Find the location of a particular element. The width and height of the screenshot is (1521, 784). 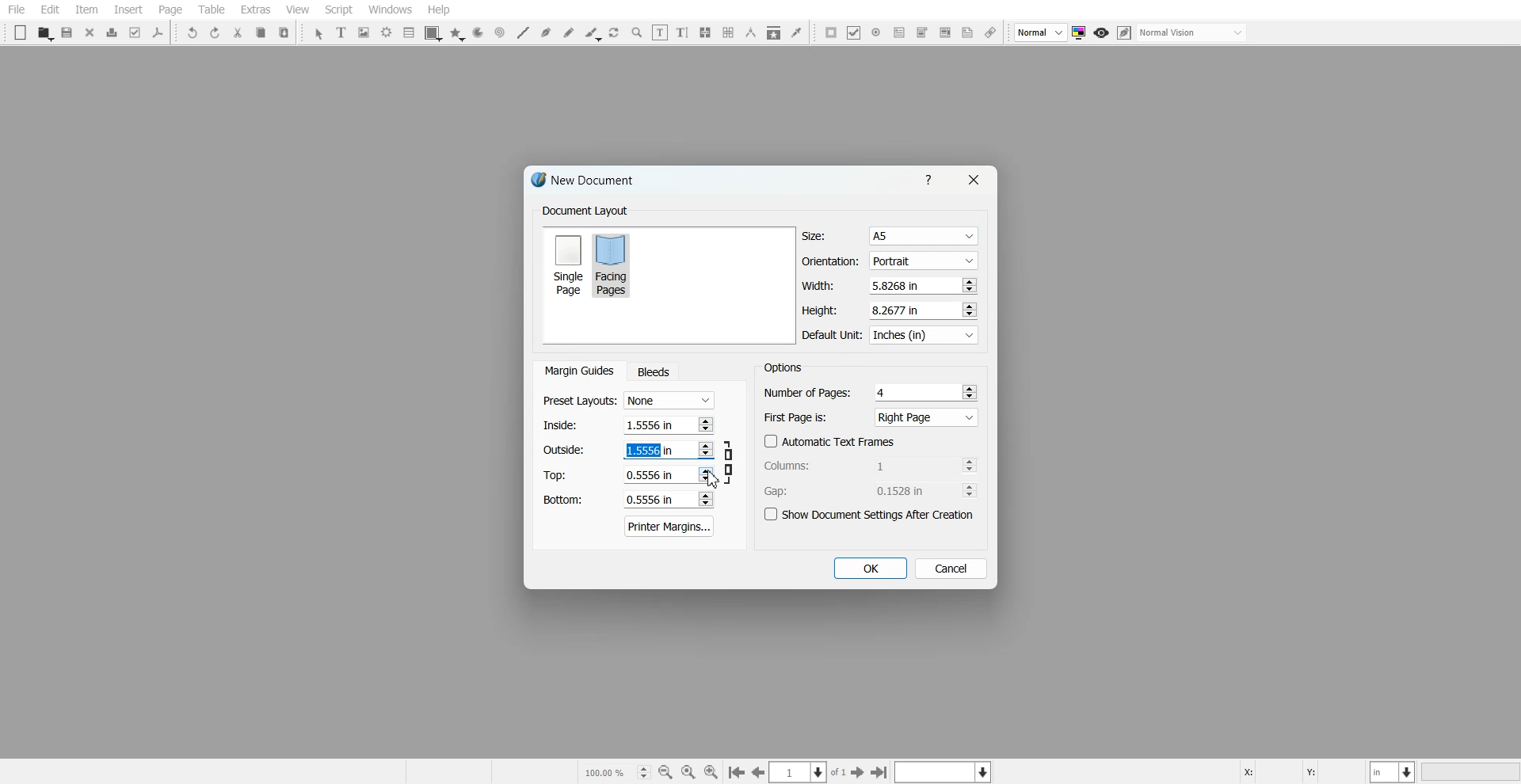

Save as PDF is located at coordinates (158, 32).